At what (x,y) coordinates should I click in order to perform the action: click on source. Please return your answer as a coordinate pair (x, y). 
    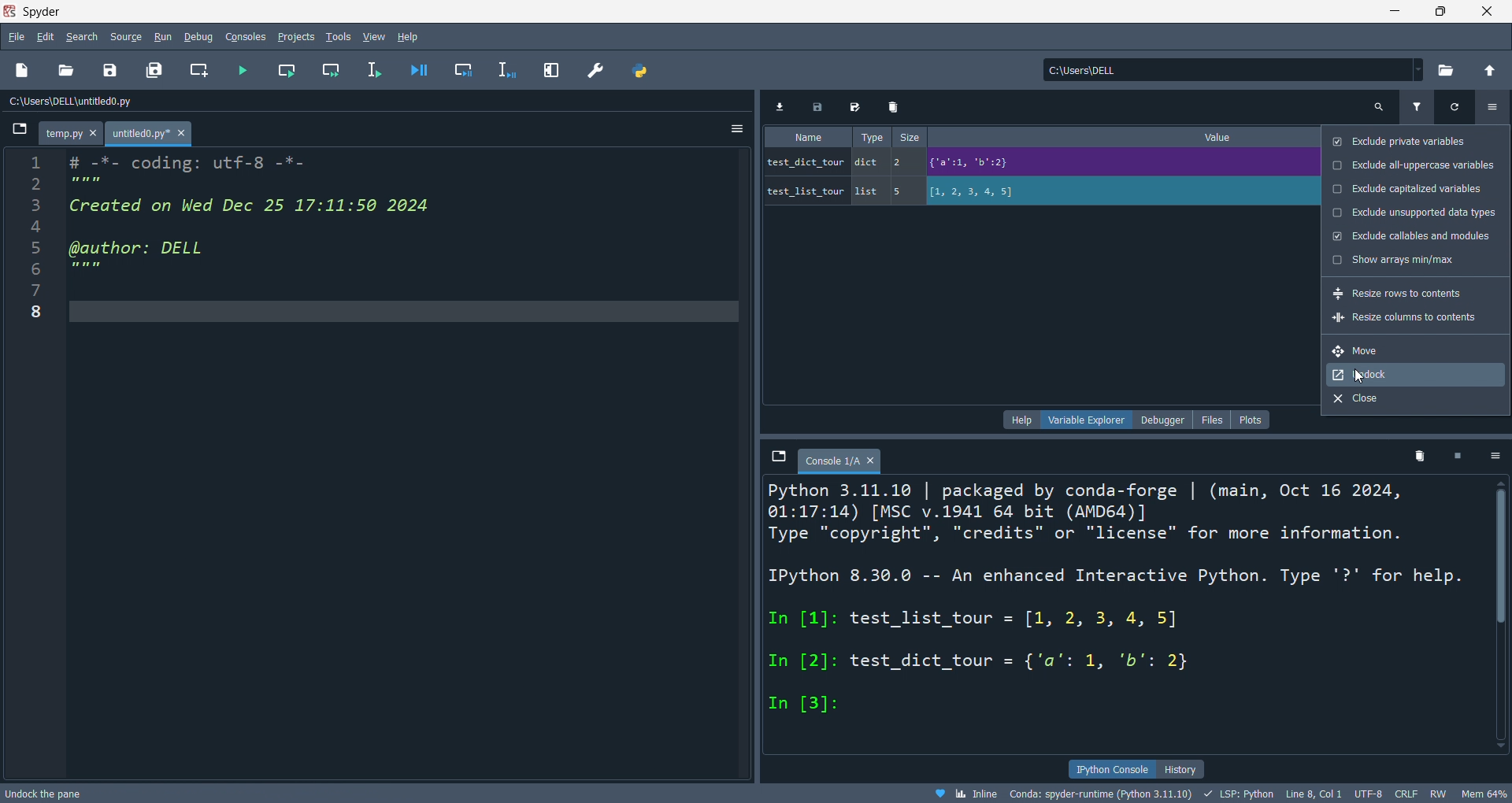
    Looking at the image, I should click on (125, 35).